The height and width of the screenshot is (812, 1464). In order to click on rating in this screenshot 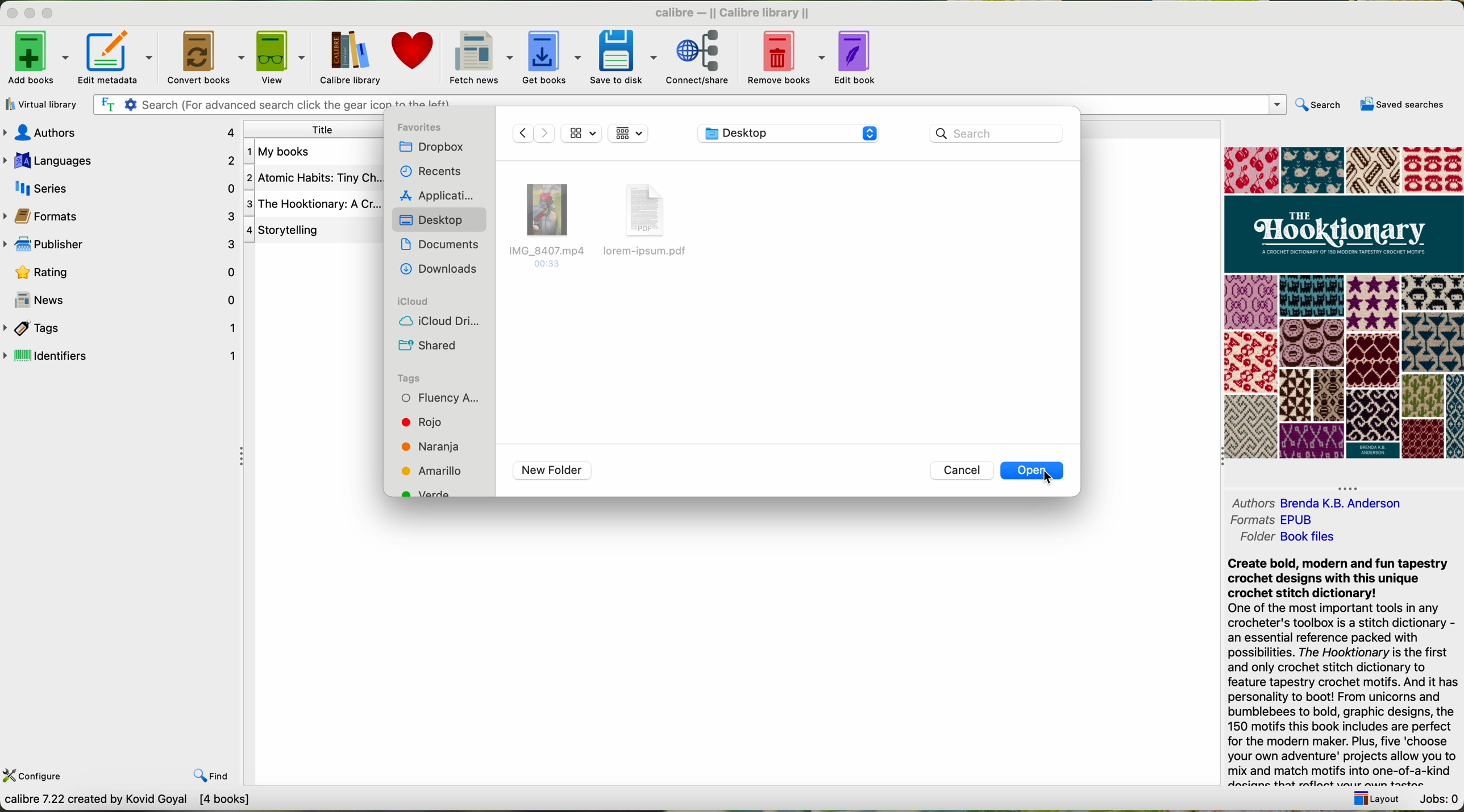, I will do `click(125, 272)`.